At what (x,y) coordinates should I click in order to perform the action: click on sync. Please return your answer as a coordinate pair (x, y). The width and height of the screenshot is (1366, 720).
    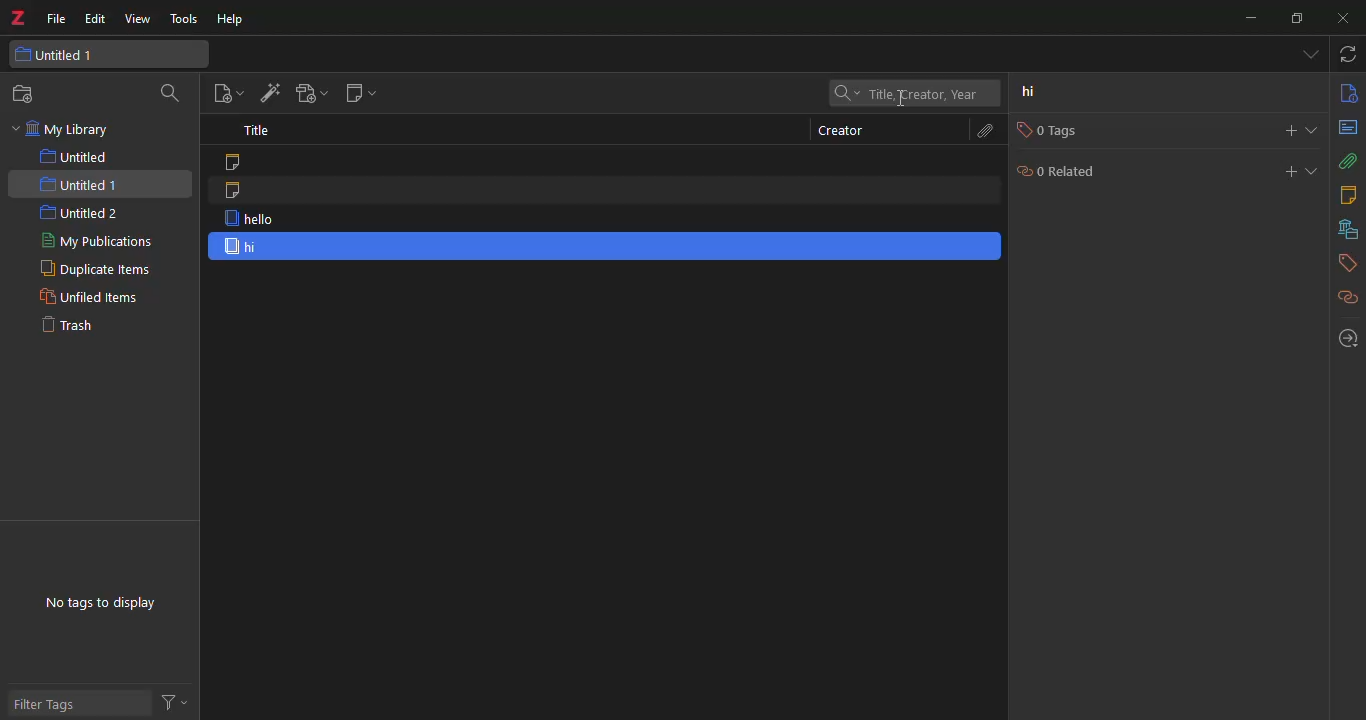
    Looking at the image, I should click on (1345, 54).